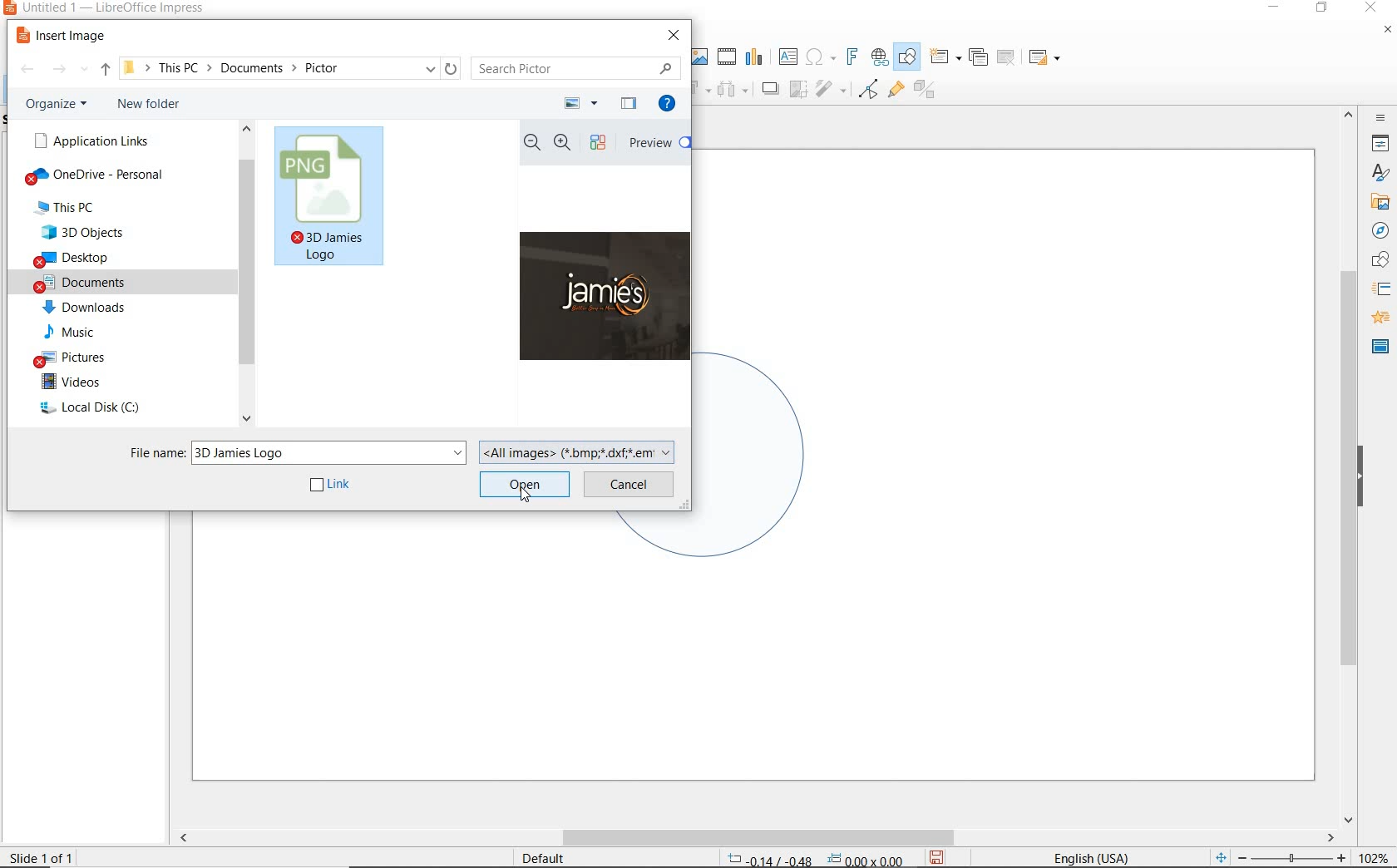 The image size is (1397, 868). What do you see at coordinates (817, 55) in the screenshot?
I see `insert special characters` at bounding box center [817, 55].